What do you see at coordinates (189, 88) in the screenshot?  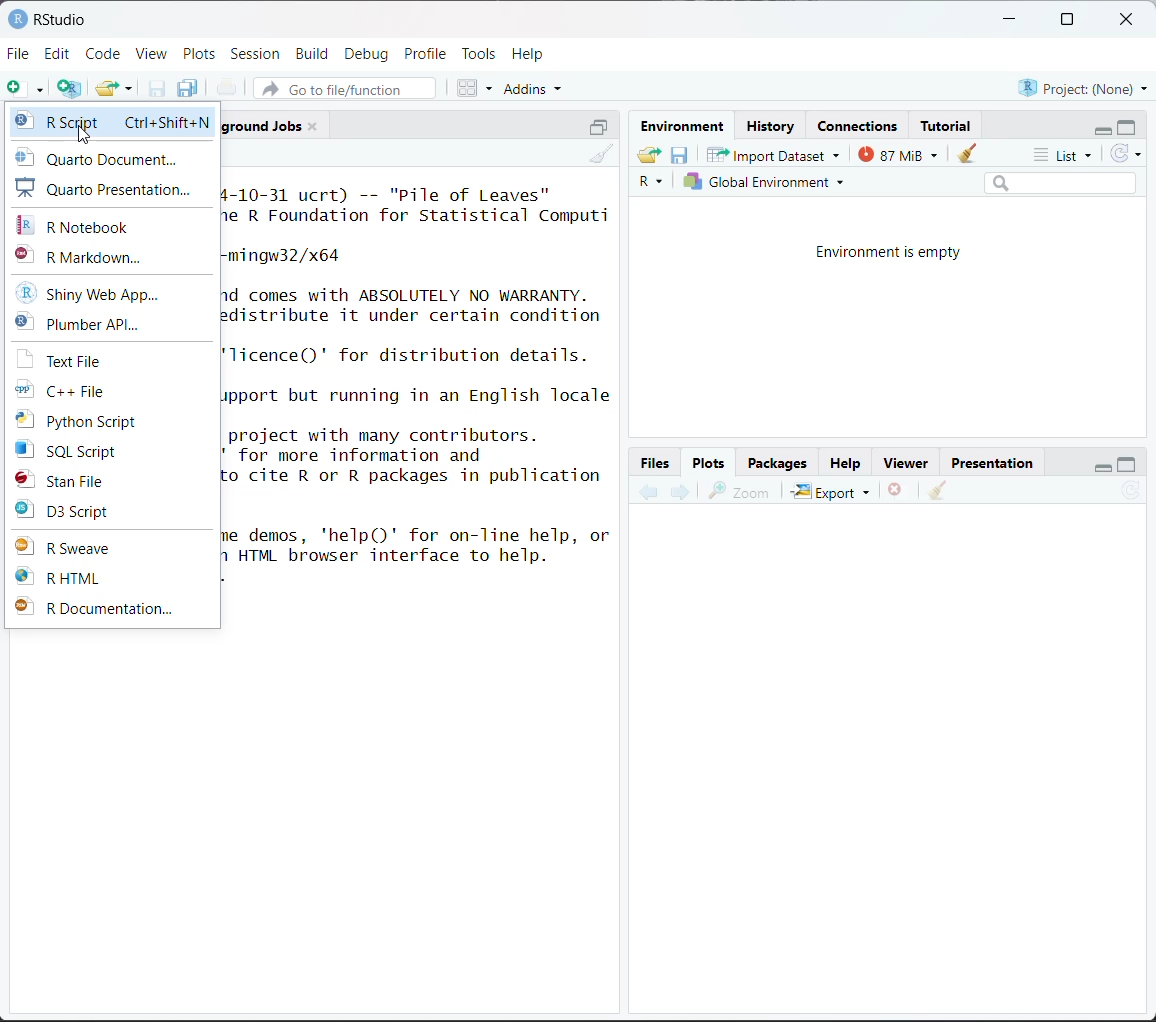 I see `save all open documents` at bounding box center [189, 88].